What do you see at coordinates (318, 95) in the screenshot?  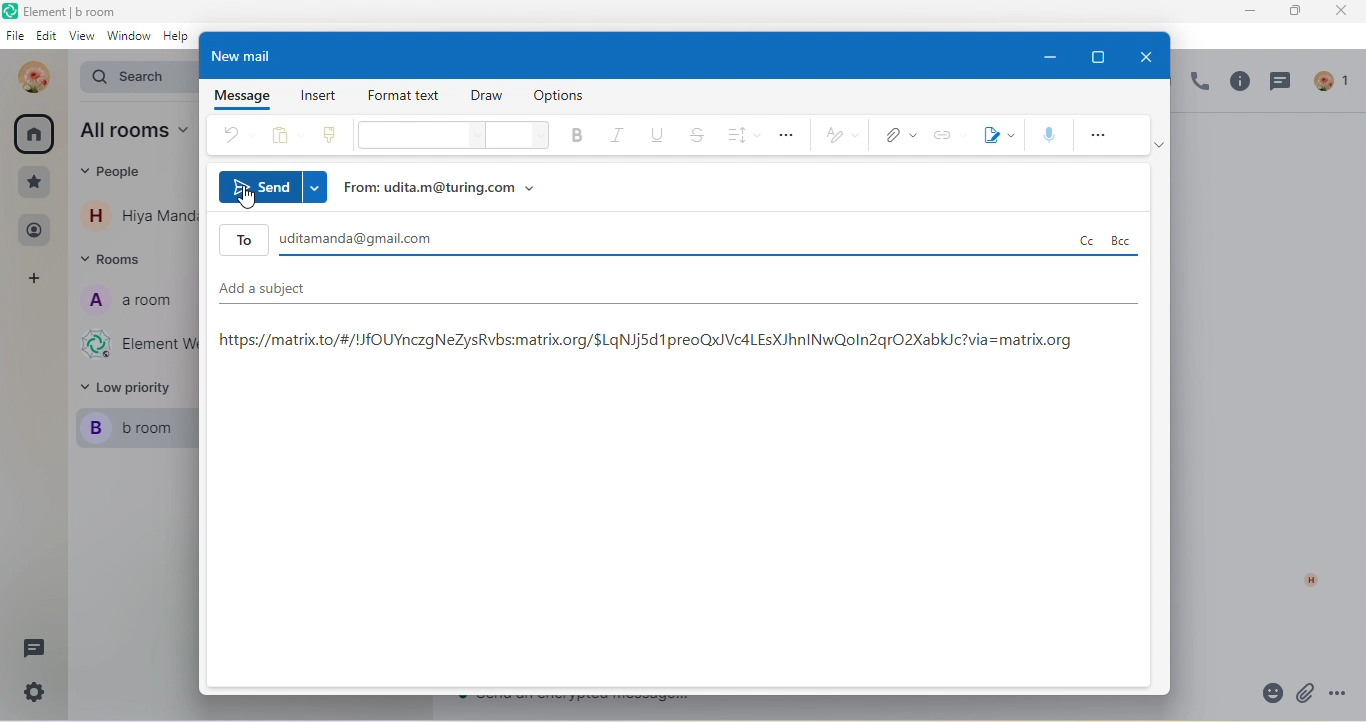 I see `insert` at bounding box center [318, 95].